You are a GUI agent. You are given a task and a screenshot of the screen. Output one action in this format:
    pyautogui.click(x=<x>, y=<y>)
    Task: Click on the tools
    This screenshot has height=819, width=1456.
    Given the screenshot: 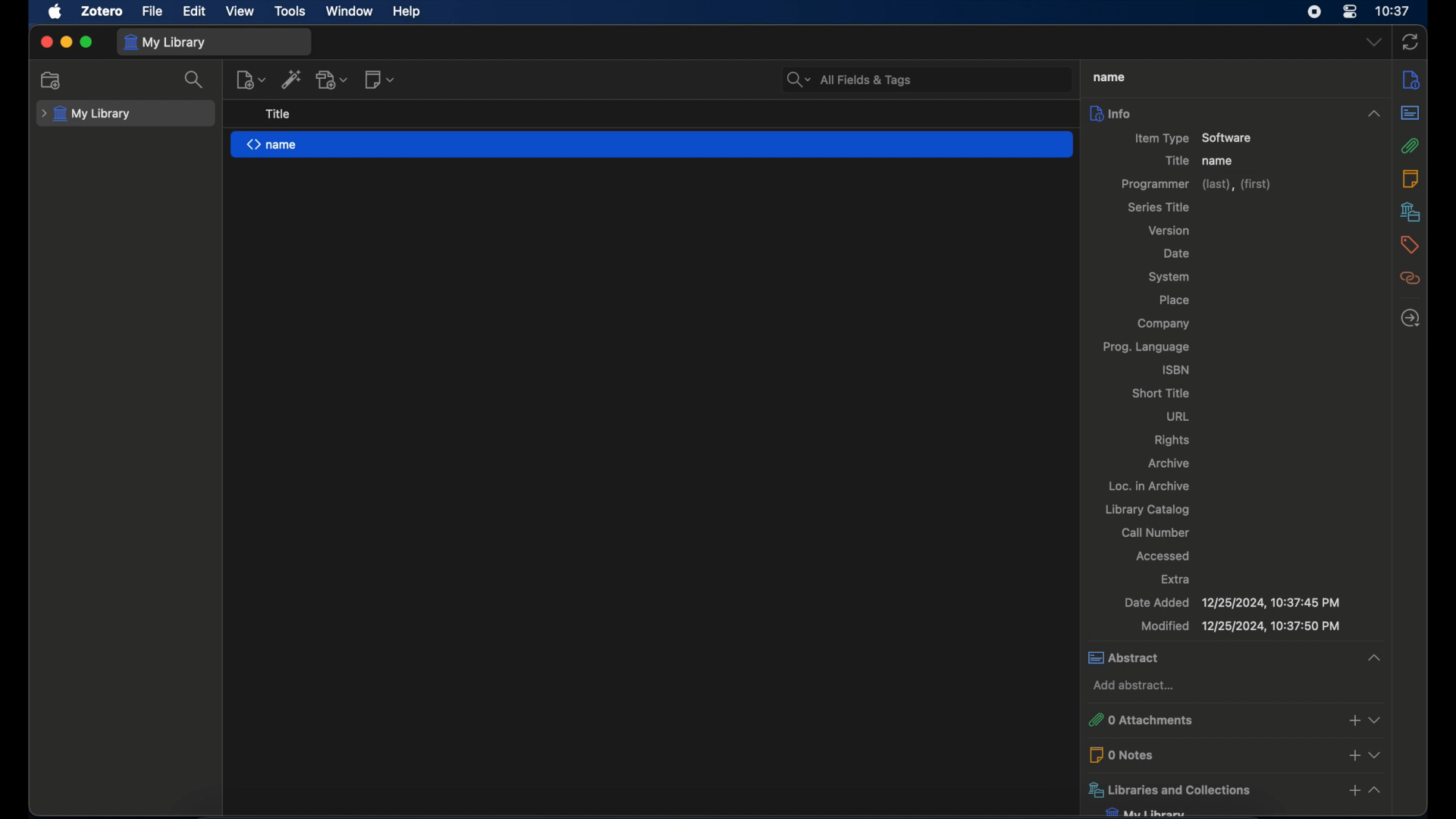 What is the action you would take?
    pyautogui.click(x=290, y=11)
    